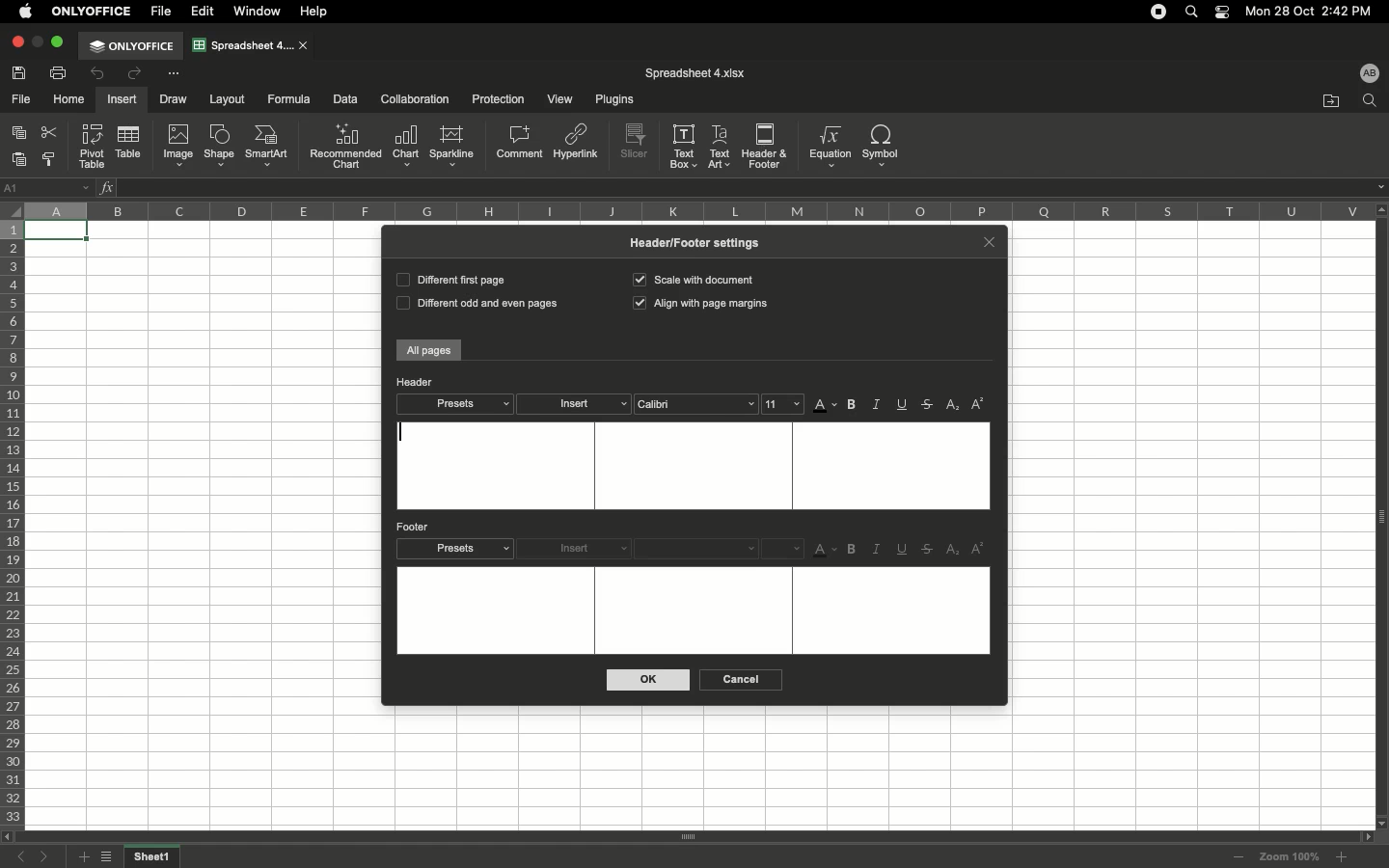 The image size is (1389, 868). What do you see at coordinates (1224, 13) in the screenshot?
I see `Notification` at bounding box center [1224, 13].